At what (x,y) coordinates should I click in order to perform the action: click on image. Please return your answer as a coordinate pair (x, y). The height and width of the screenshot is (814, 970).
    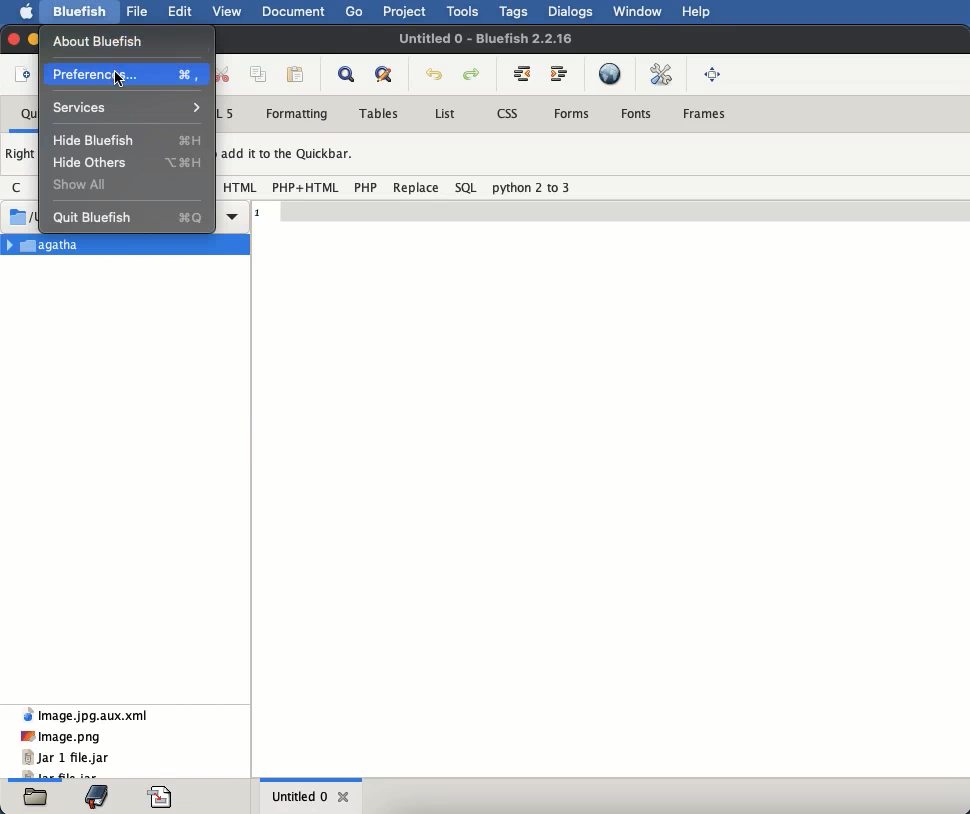
    Looking at the image, I should click on (61, 736).